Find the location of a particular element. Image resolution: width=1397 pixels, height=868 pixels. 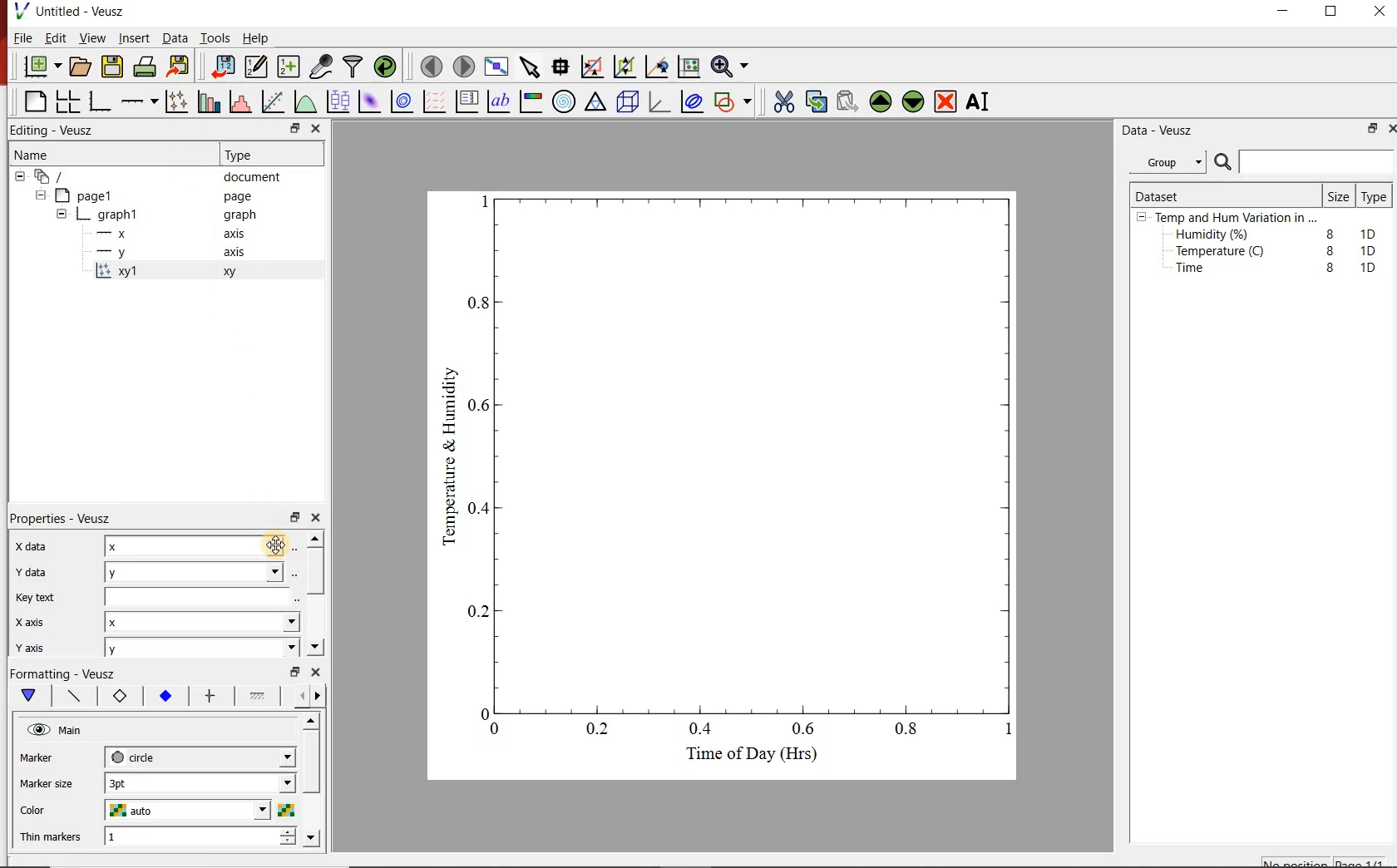

y is located at coordinates (136, 650).